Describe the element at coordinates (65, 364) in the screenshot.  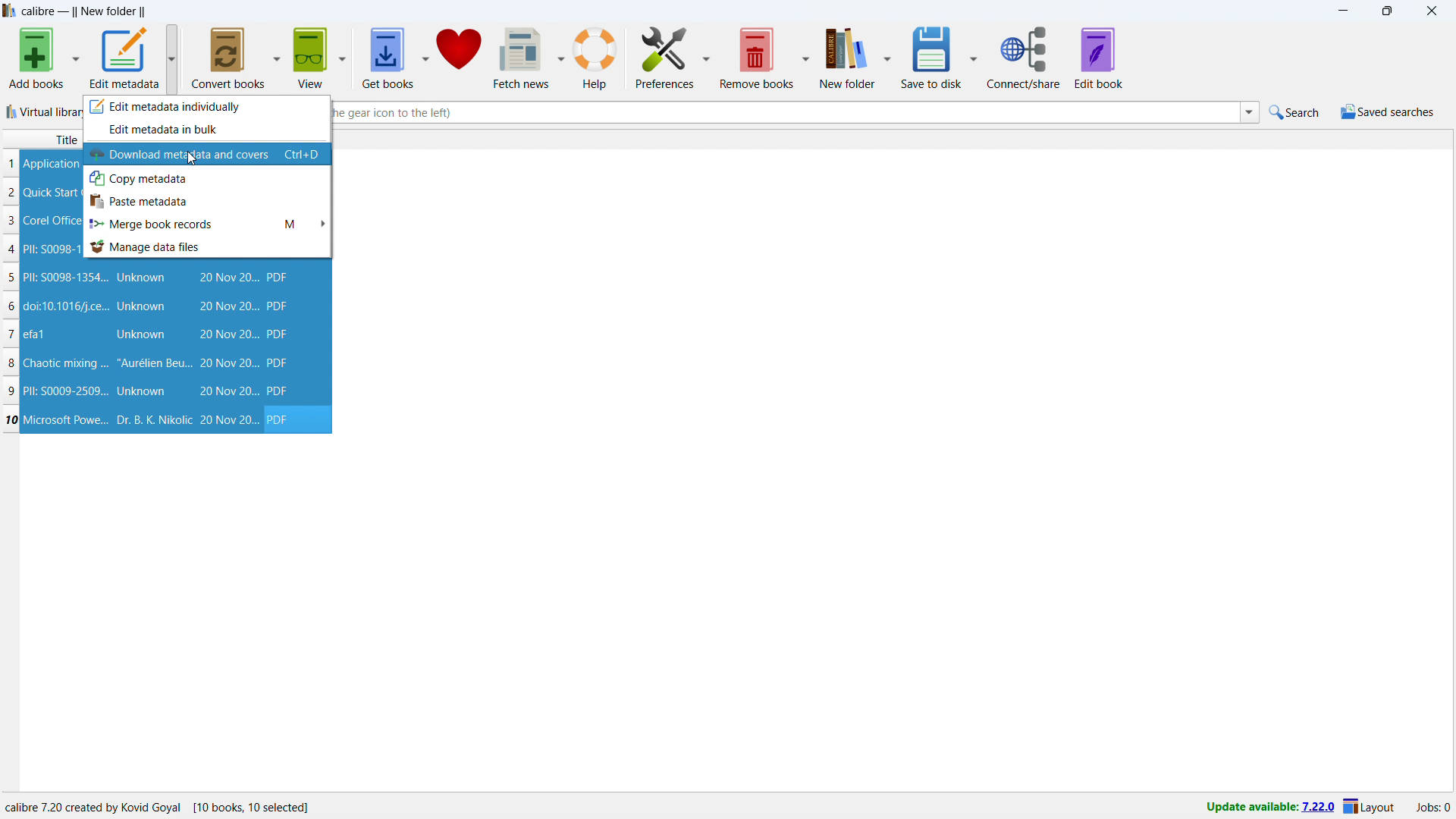
I see `Chaotic mixing ...` at that location.